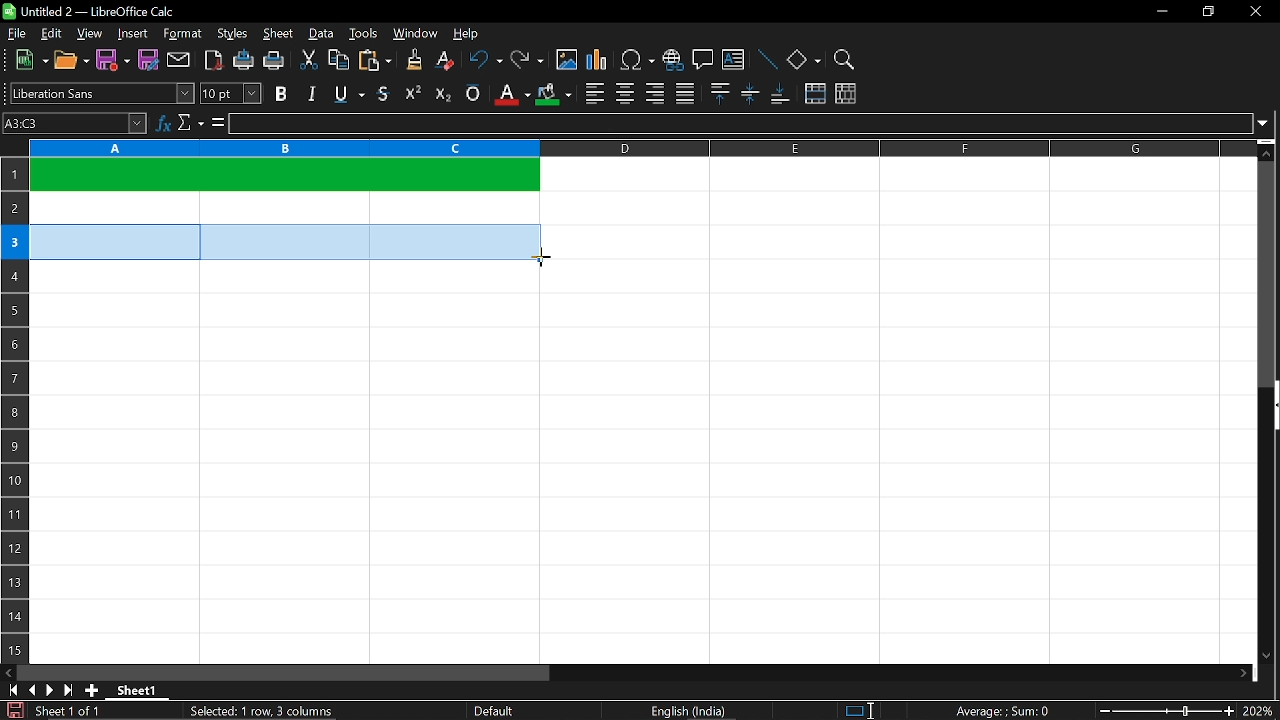  I want to click on save as, so click(148, 59).